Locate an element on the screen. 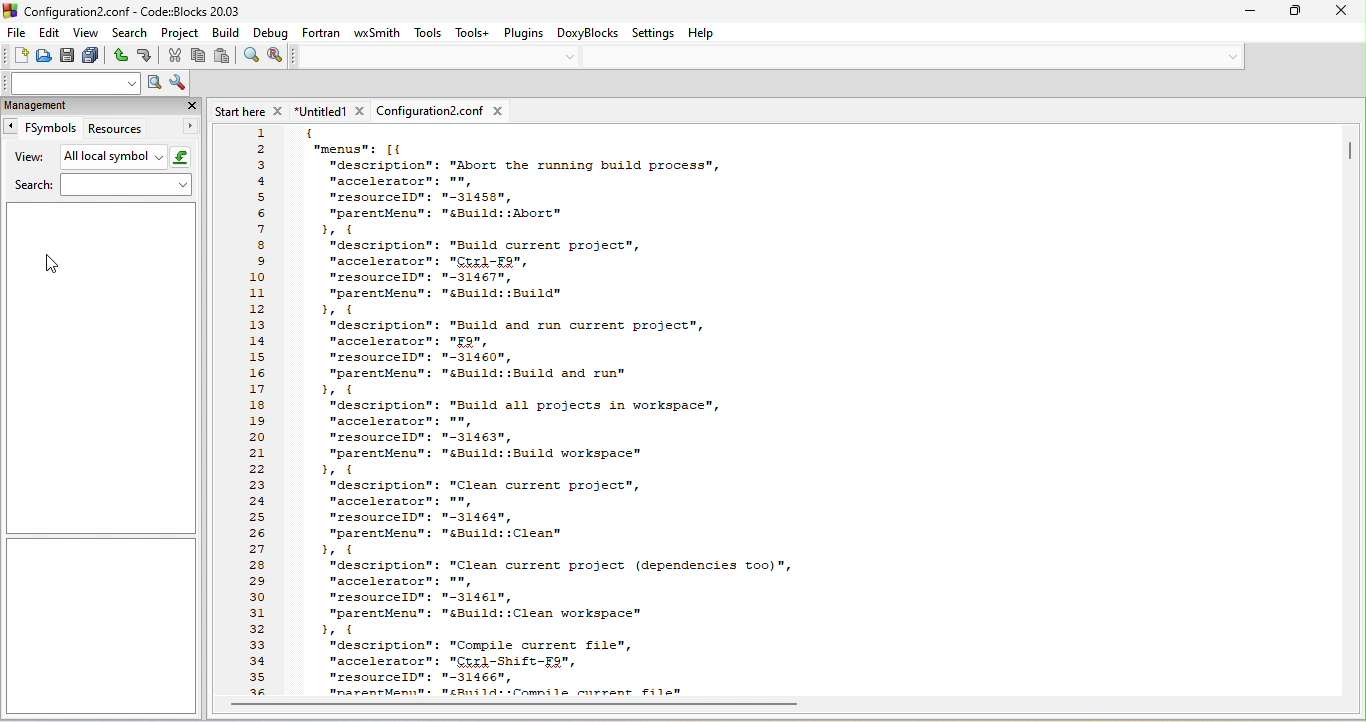 The height and width of the screenshot is (722, 1366). run search is located at coordinates (153, 83).